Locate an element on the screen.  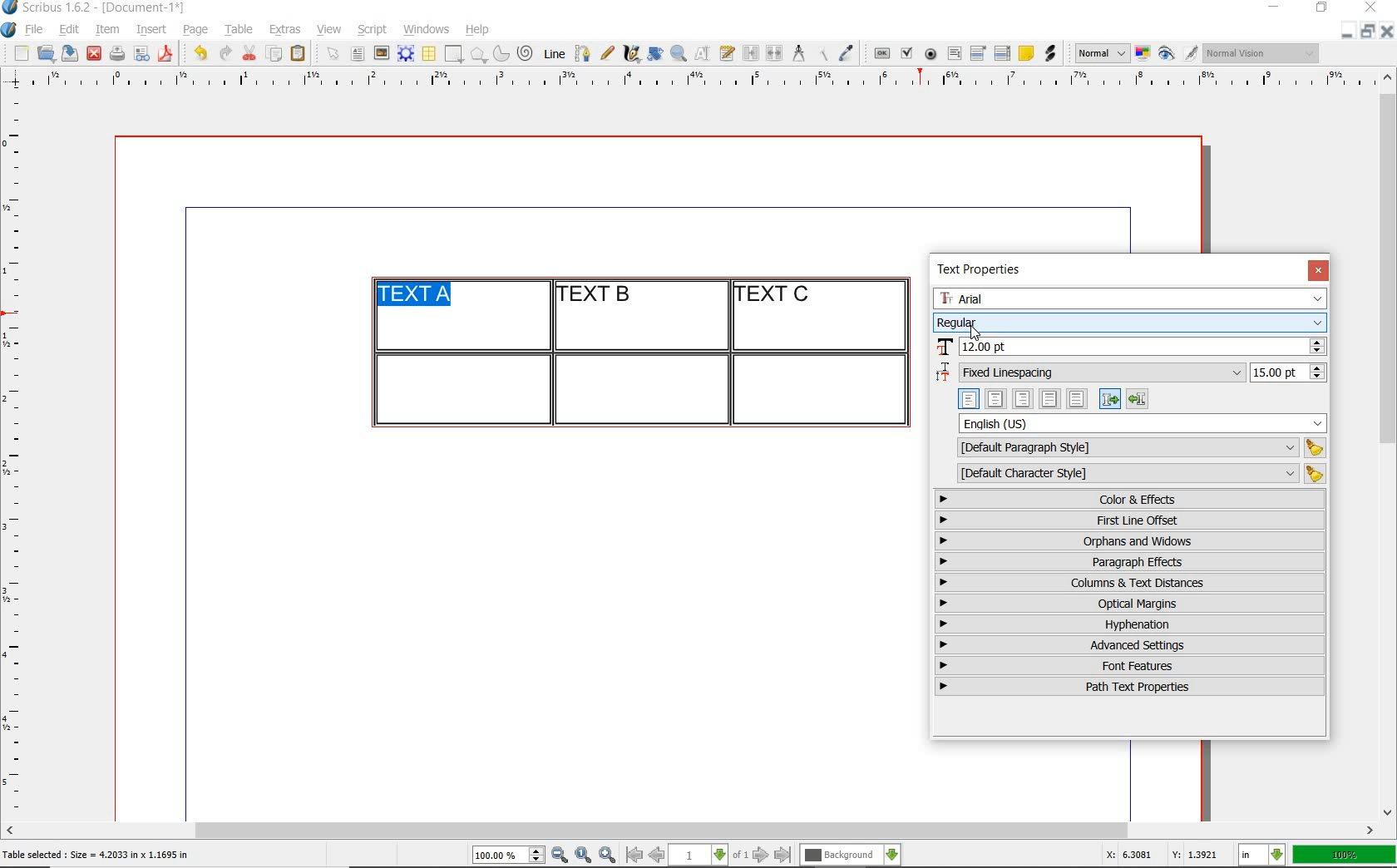
text highlighted is located at coordinates (415, 296).